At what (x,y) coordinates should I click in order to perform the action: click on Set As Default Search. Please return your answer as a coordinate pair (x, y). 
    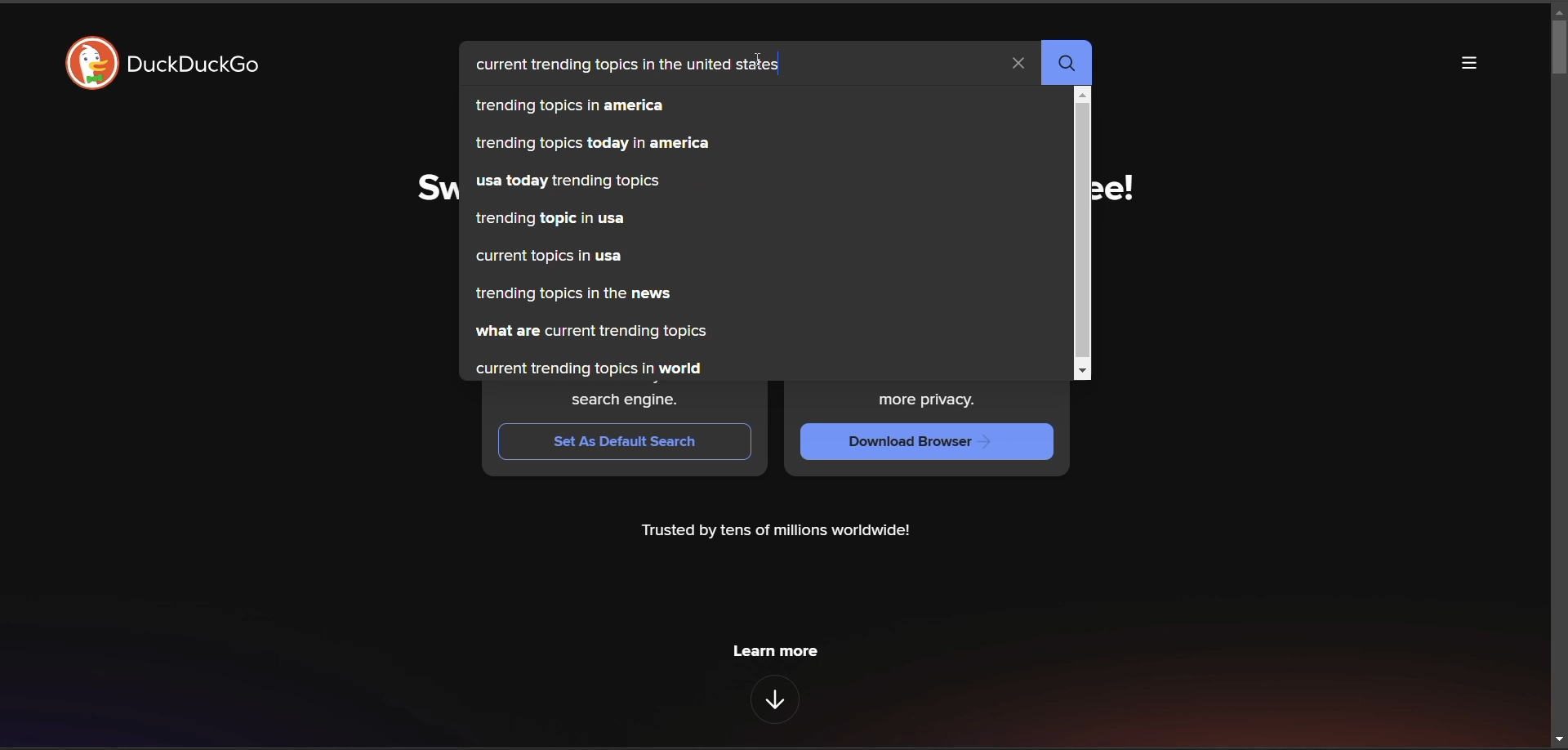
    Looking at the image, I should click on (626, 440).